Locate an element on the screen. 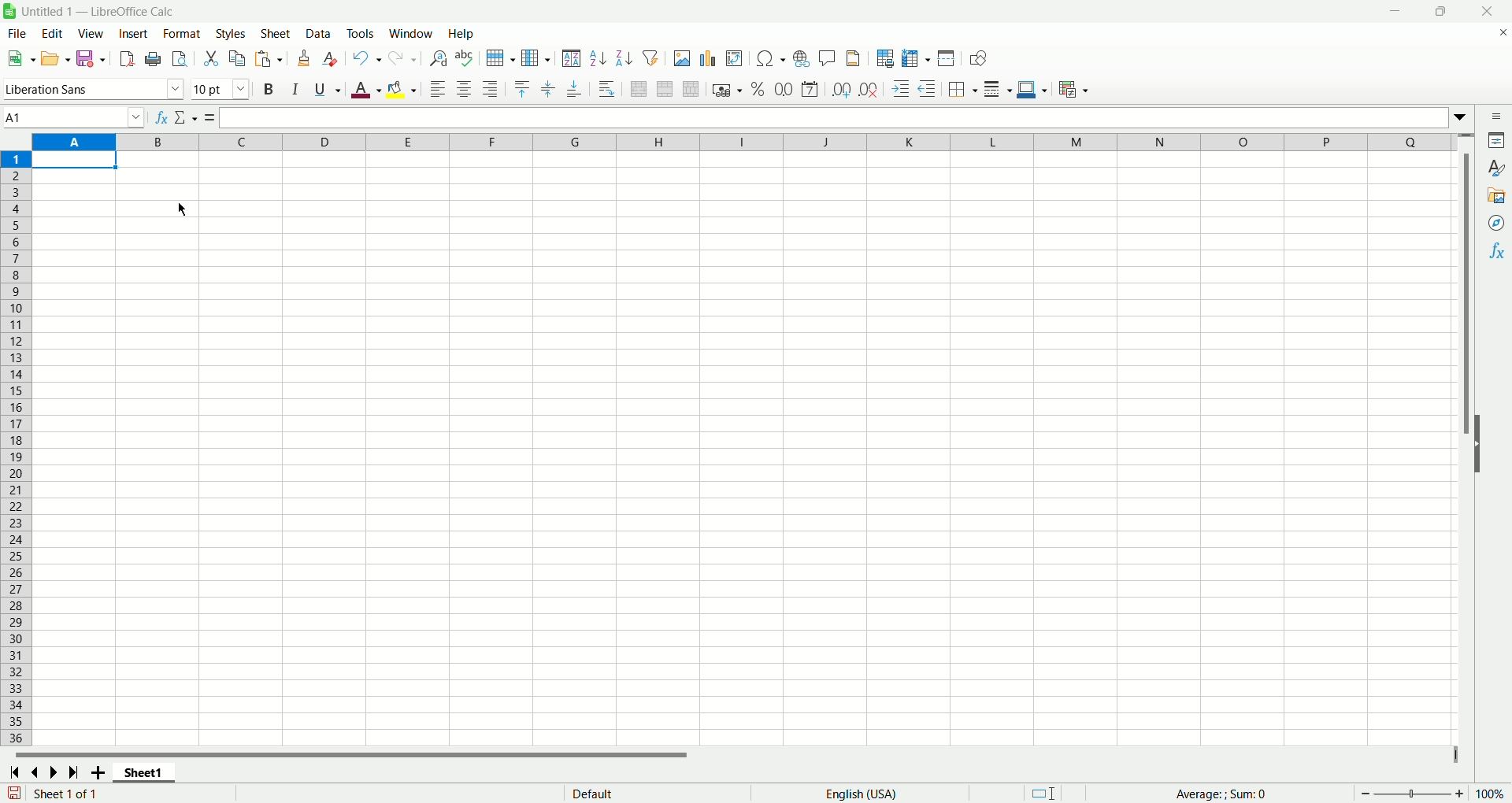  define print area is located at coordinates (886, 58).